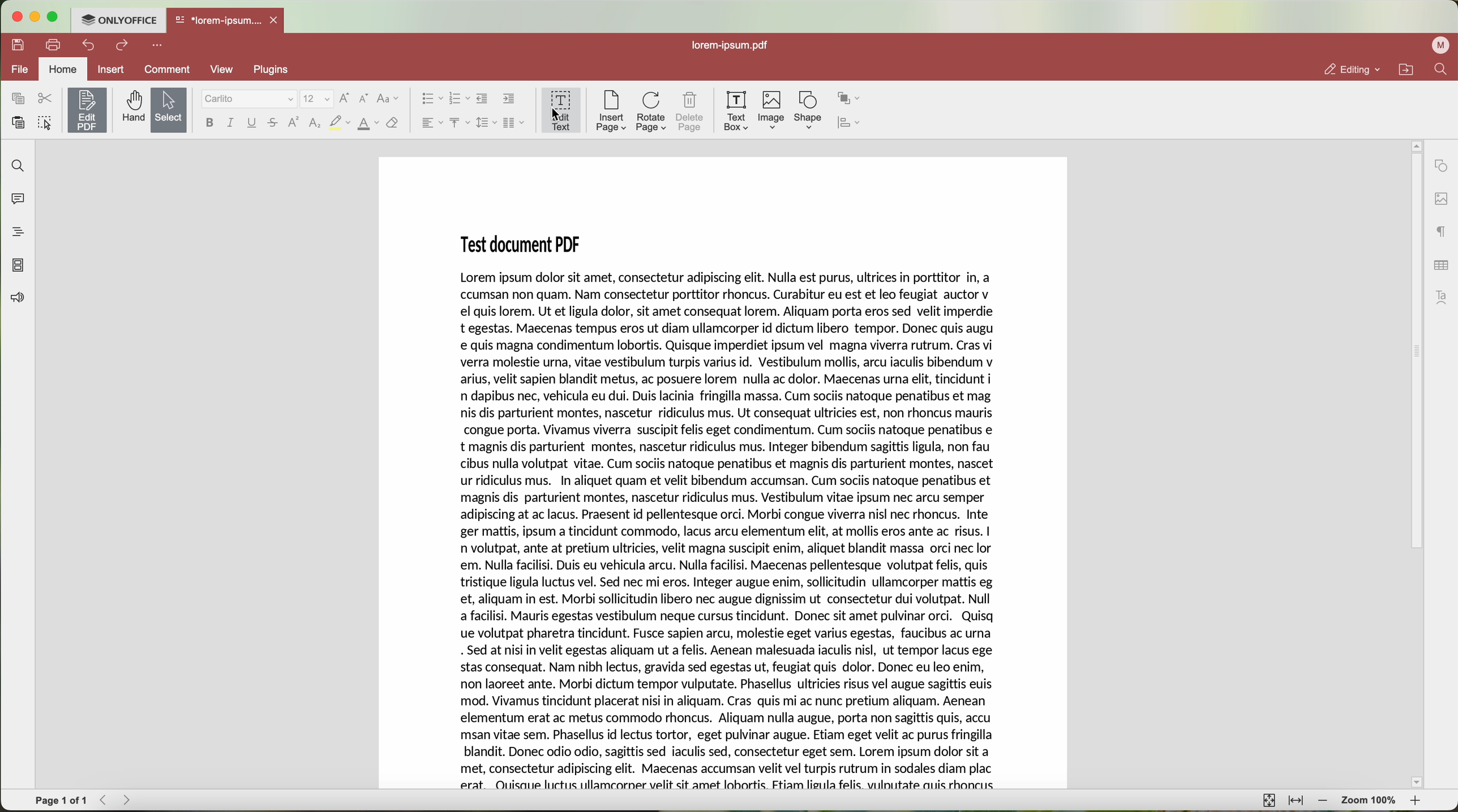 The width and height of the screenshot is (1458, 812). Describe the element at coordinates (525, 242) in the screenshot. I see `Test document PDF` at that location.